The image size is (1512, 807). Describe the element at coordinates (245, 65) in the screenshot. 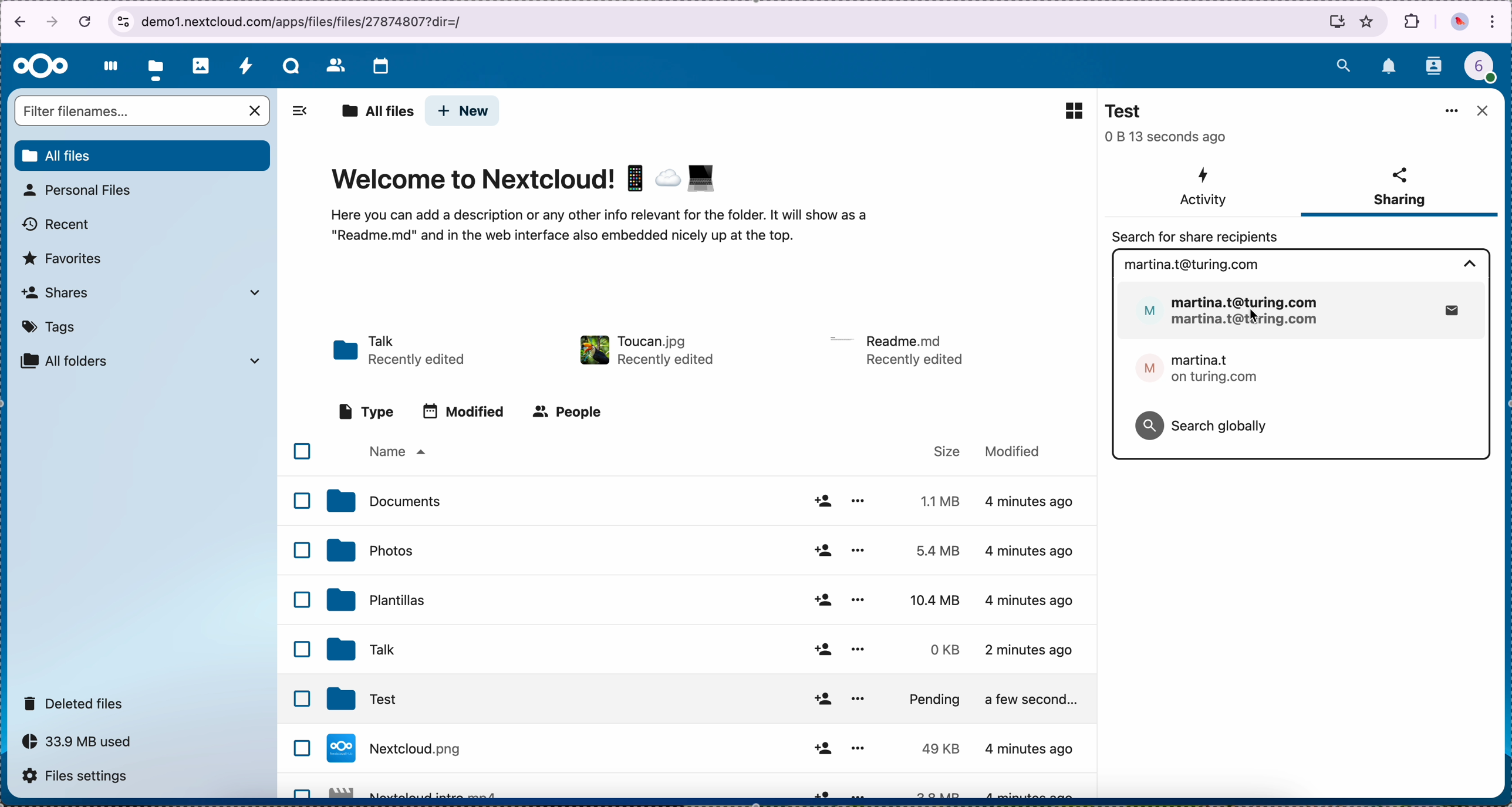

I see `activity` at that location.